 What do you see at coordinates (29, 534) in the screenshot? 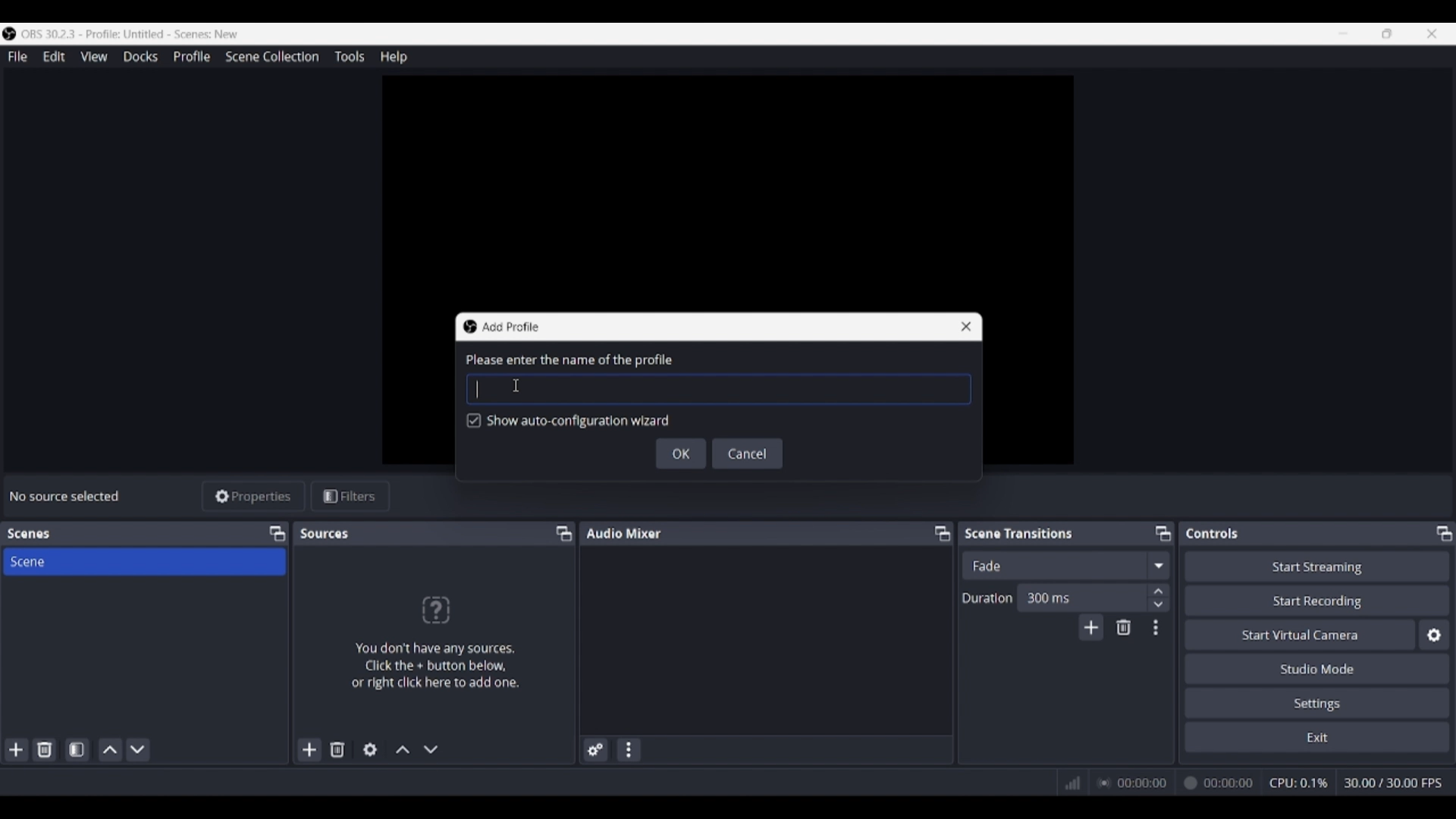
I see `Panel title` at bounding box center [29, 534].